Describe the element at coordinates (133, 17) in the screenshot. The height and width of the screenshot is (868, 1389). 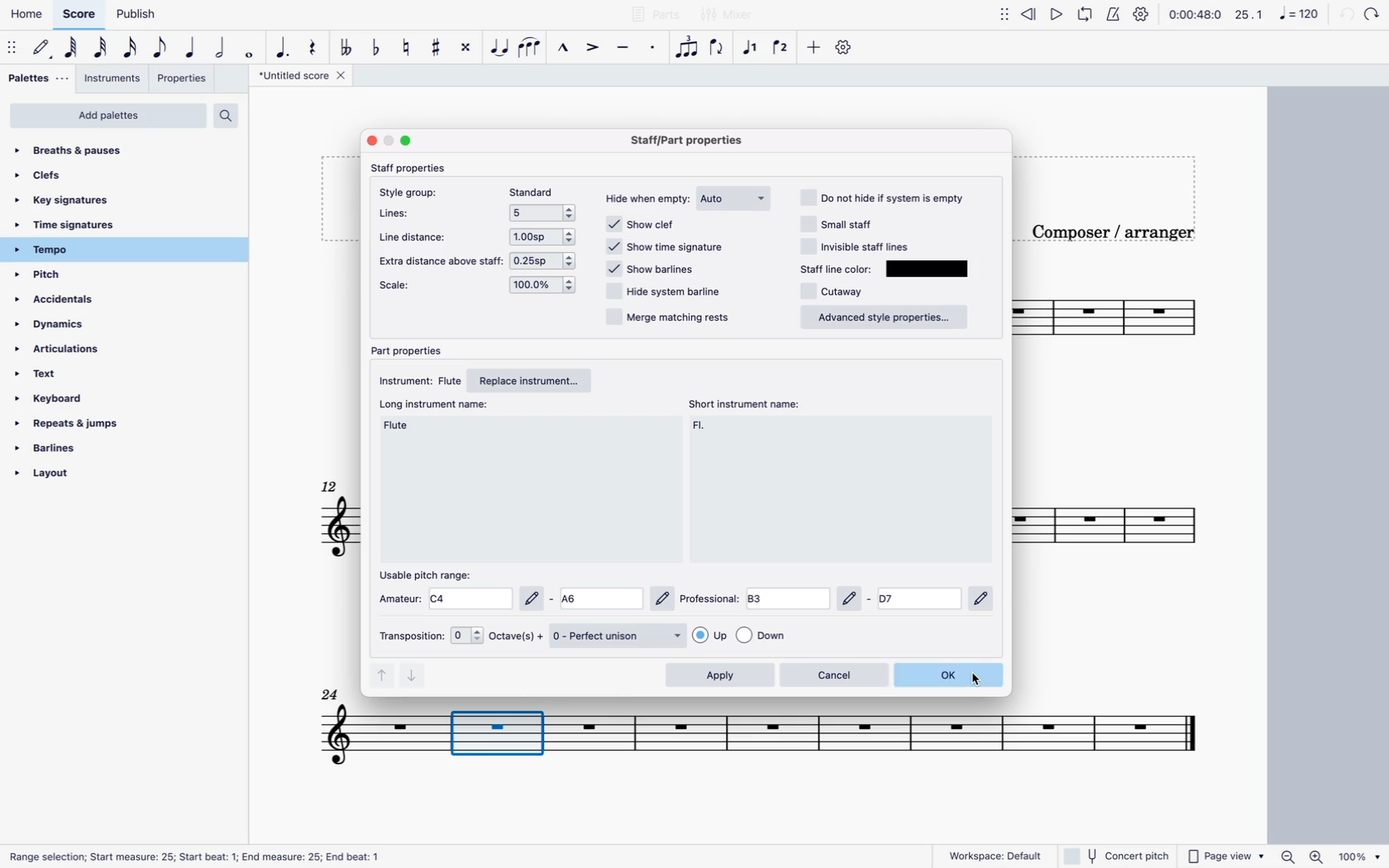
I see `publish` at that location.